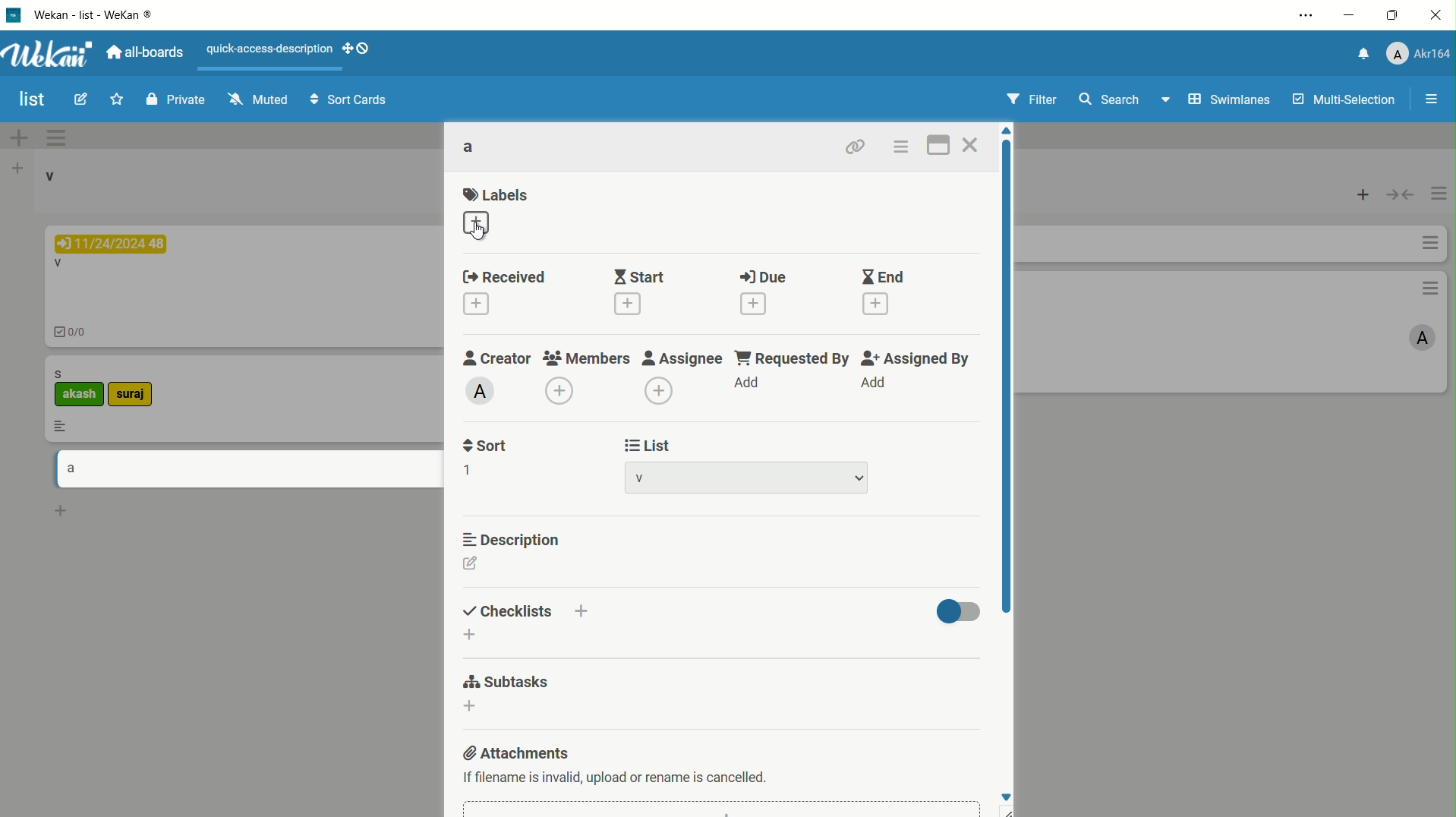 The height and width of the screenshot is (817, 1456). I want to click on add members, so click(558, 390).